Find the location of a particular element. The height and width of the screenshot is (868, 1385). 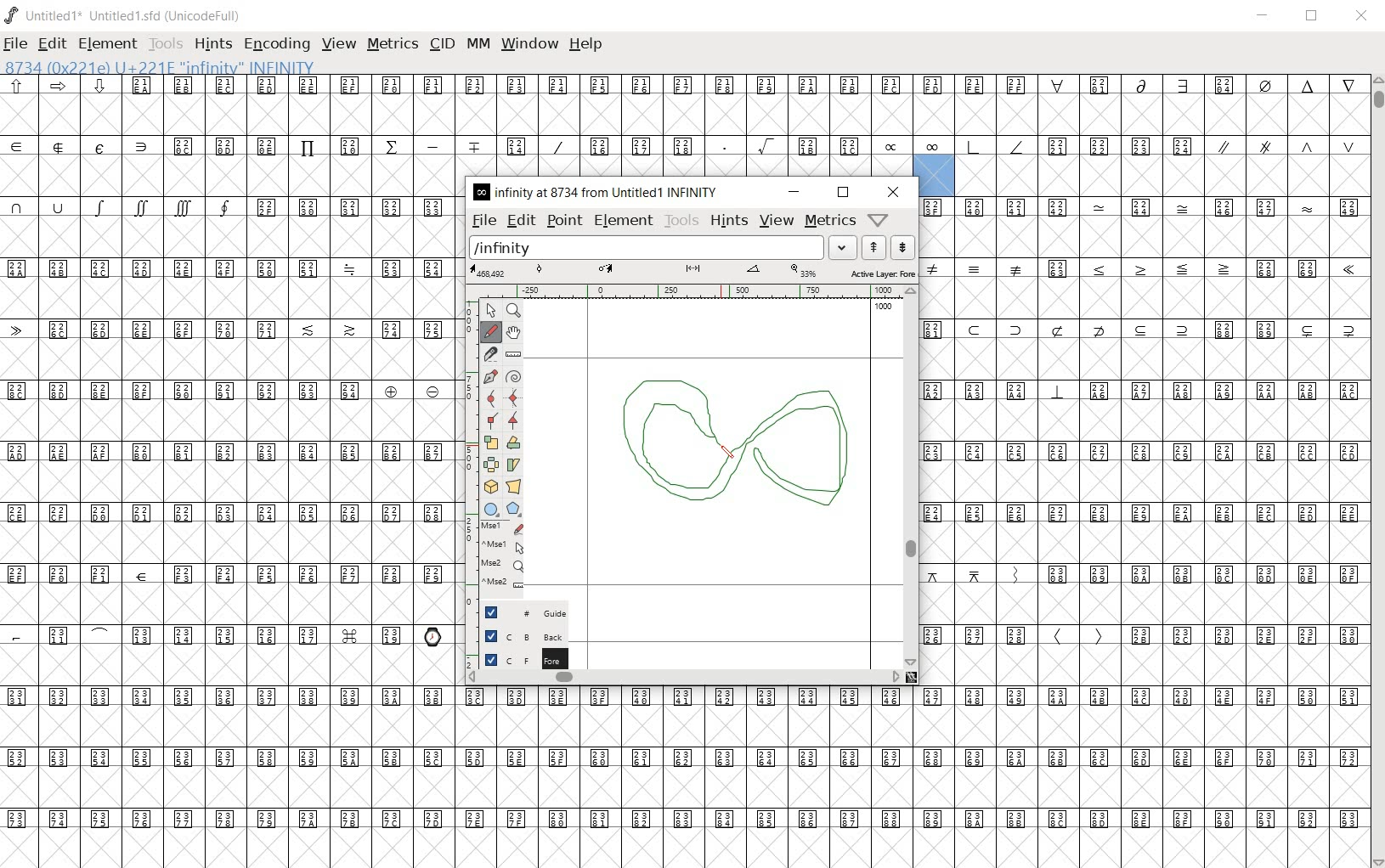

perform a perspective transformation on the selection is located at coordinates (514, 486).